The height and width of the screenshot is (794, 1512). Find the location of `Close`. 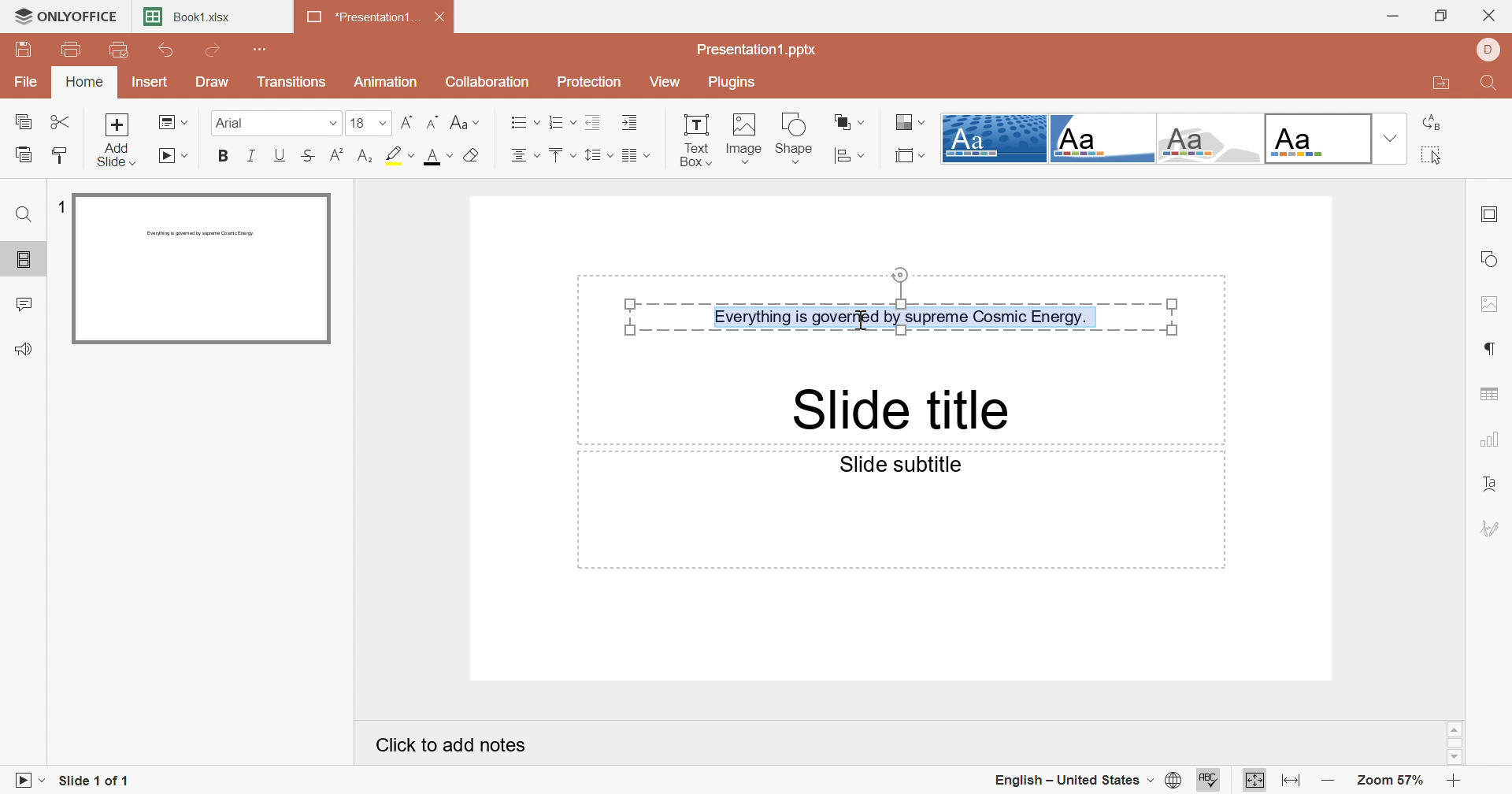

Close is located at coordinates (443, 17).